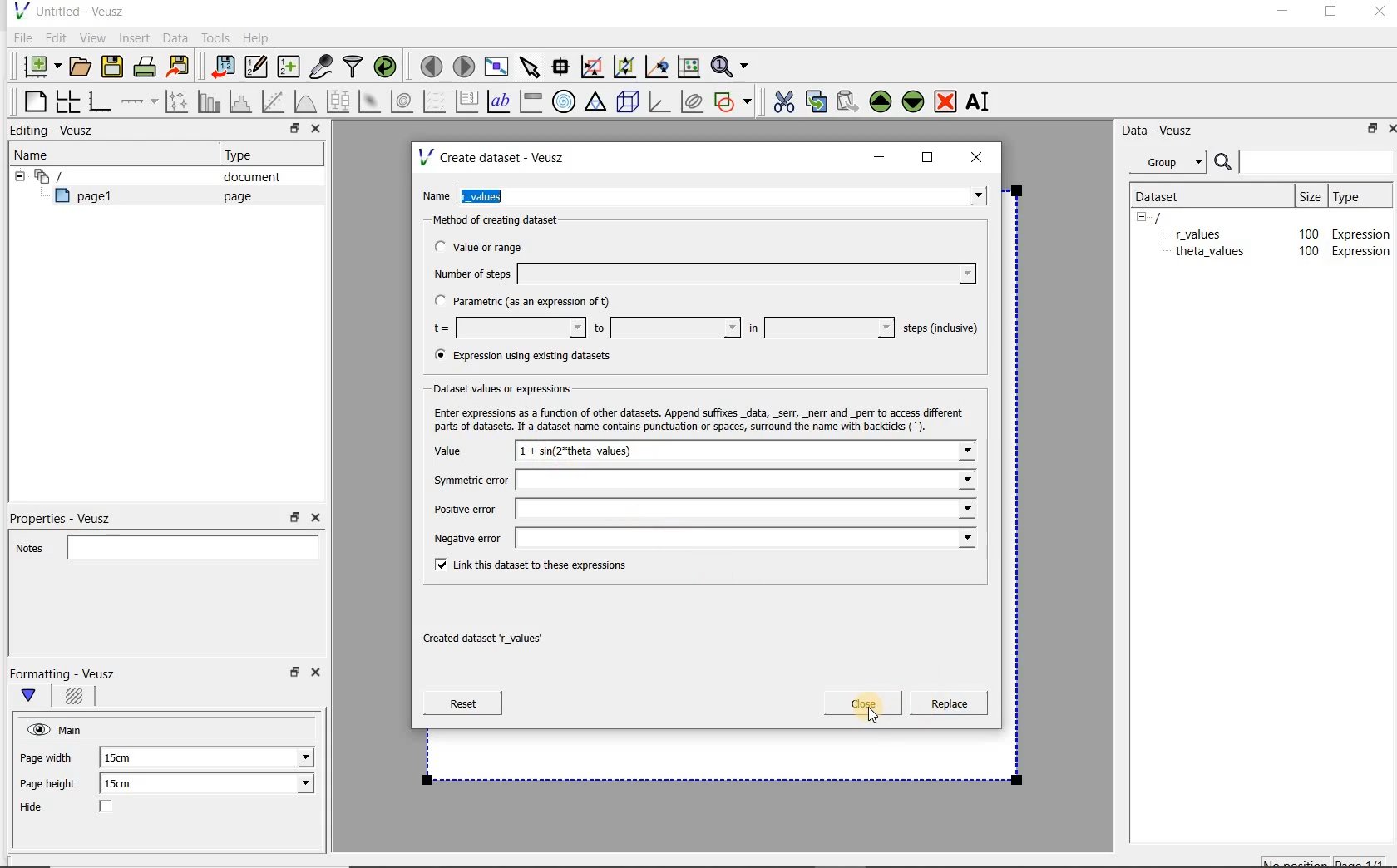  What do you see at coordinates (464, 67) in the screenshot?
I see `move to the next page` at bounding box center [464, 67].